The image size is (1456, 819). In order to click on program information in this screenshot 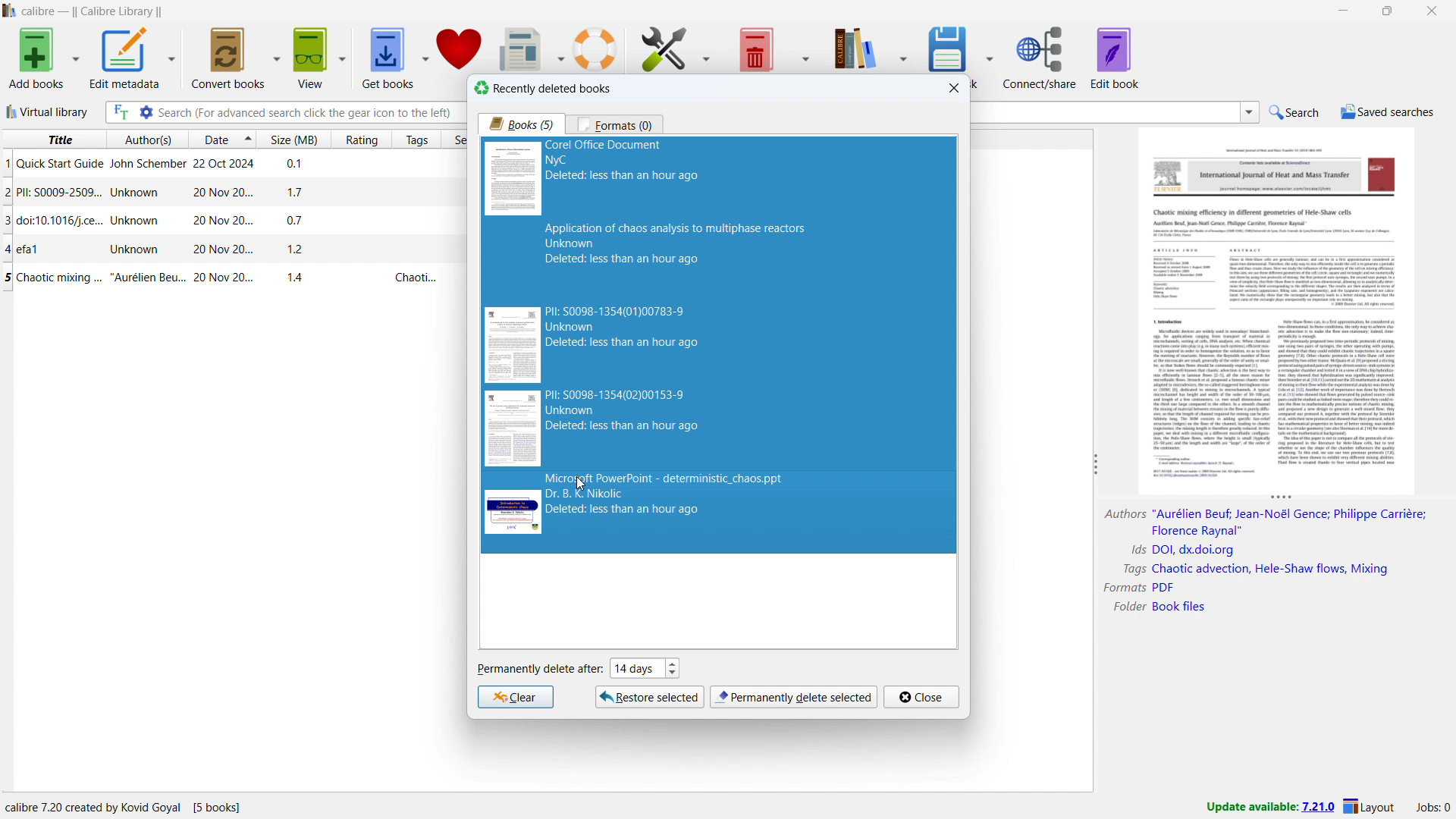, I will do `click(128, 806)`.